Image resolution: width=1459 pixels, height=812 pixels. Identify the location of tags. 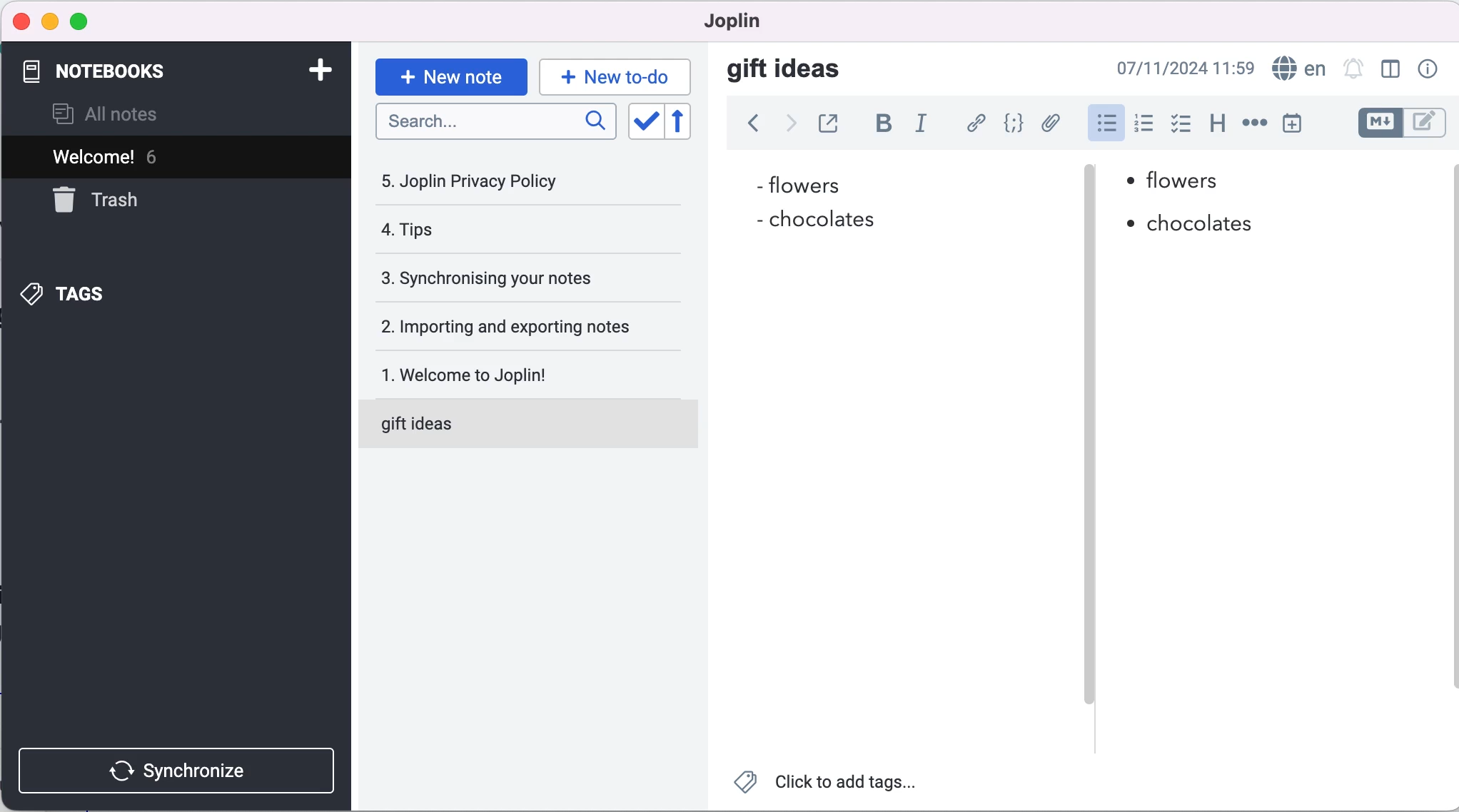
(78, 293).